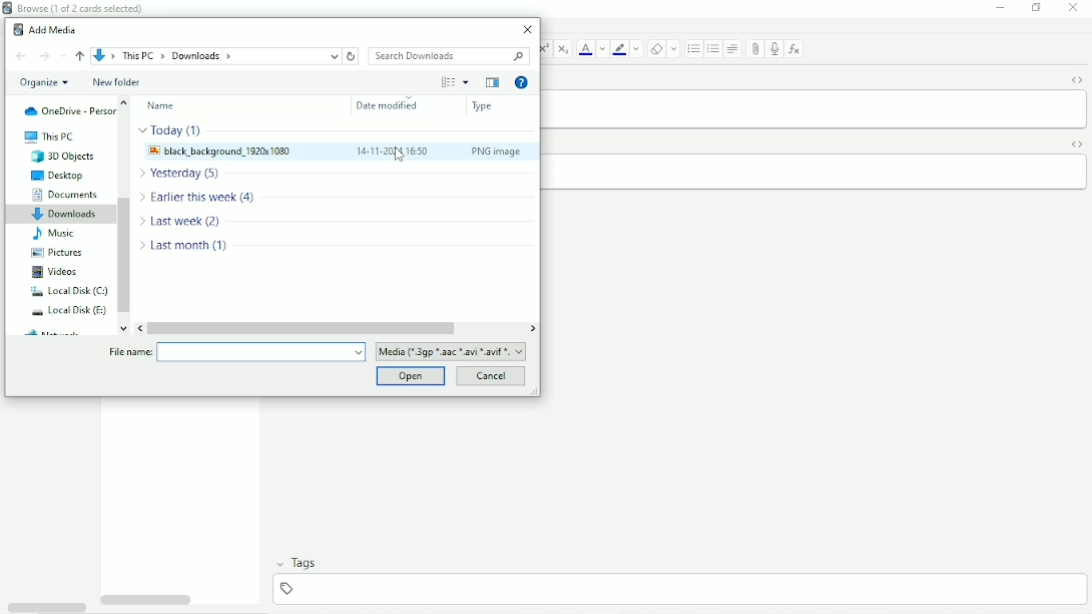 This screenshot has width=1092, height=614. What do you see at coordinates (775, 49) in the screenshot?
I see `Record audio` at bounding box center [775, 49].